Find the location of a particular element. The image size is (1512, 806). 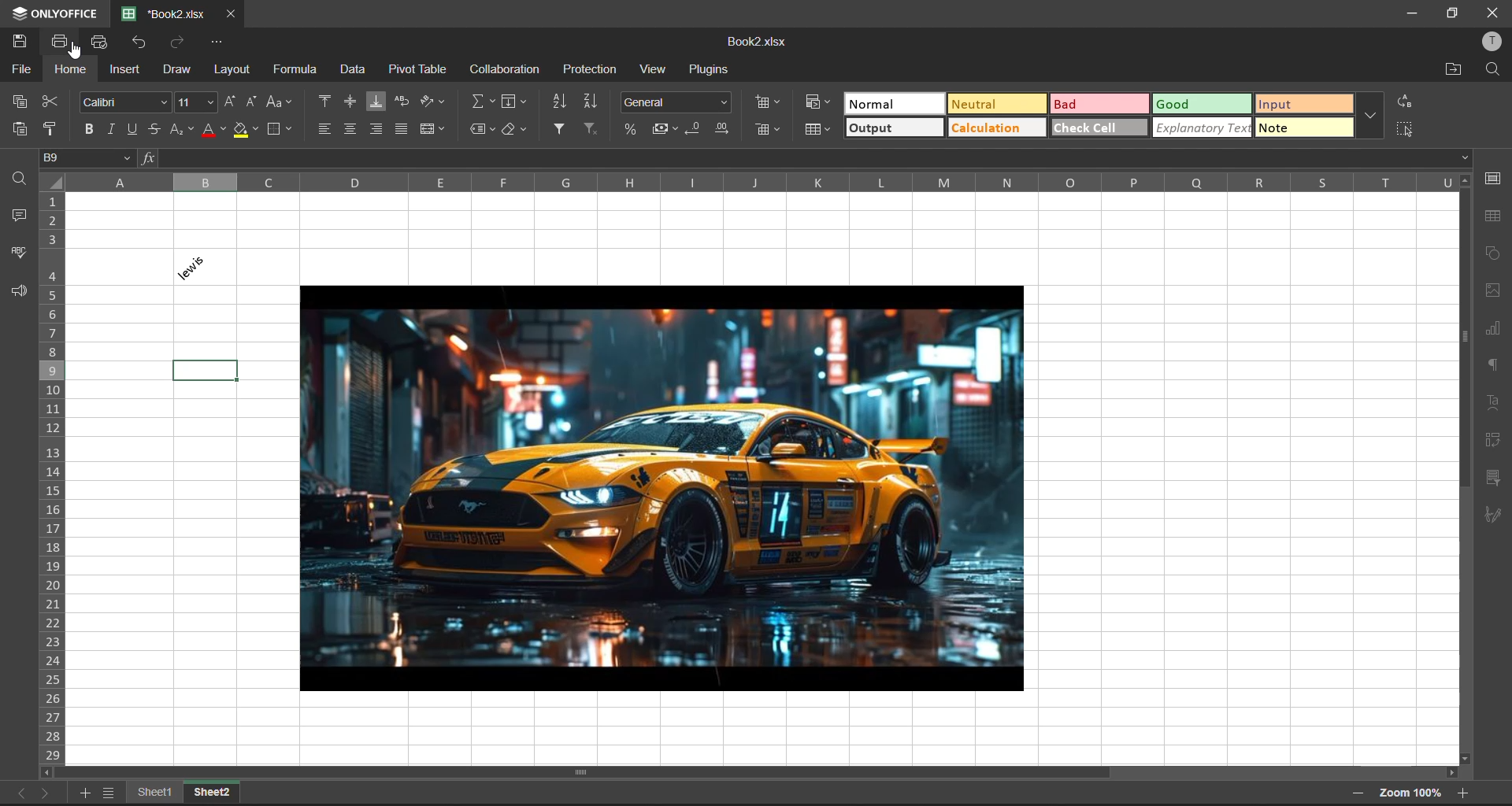

Active cell is located at coordinates (207, 370).